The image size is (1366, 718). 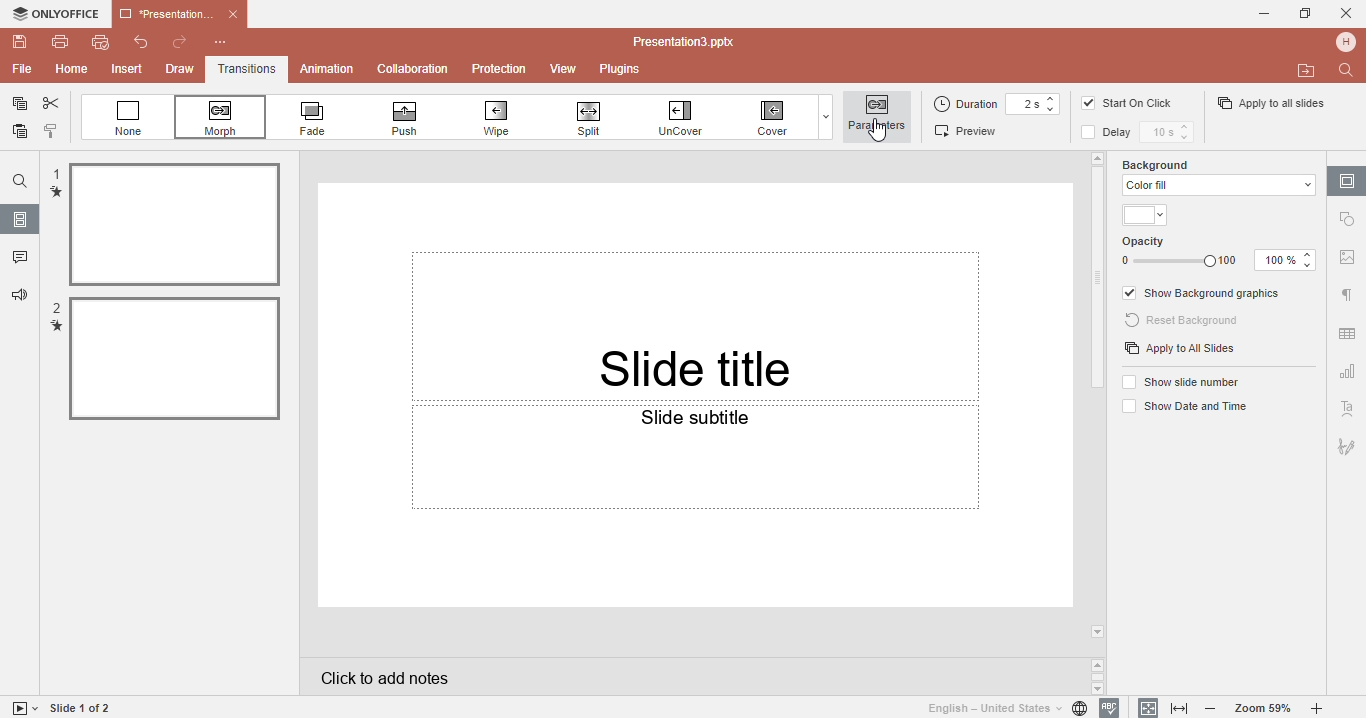 I want to click on Fade, so click(x=325, y=118).